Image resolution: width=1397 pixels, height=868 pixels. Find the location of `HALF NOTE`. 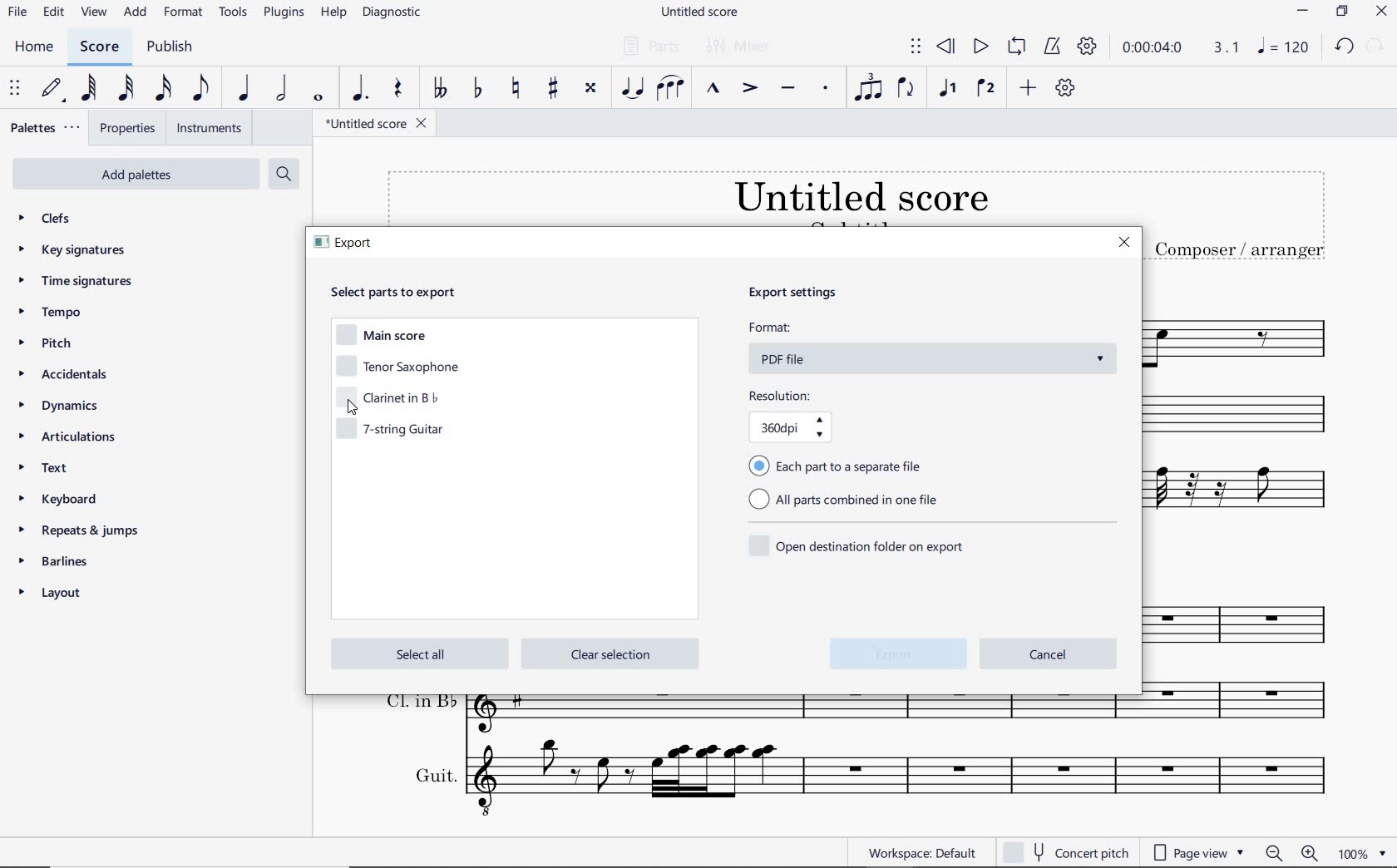

HALF NOTE is located at coordinates (282, 90).